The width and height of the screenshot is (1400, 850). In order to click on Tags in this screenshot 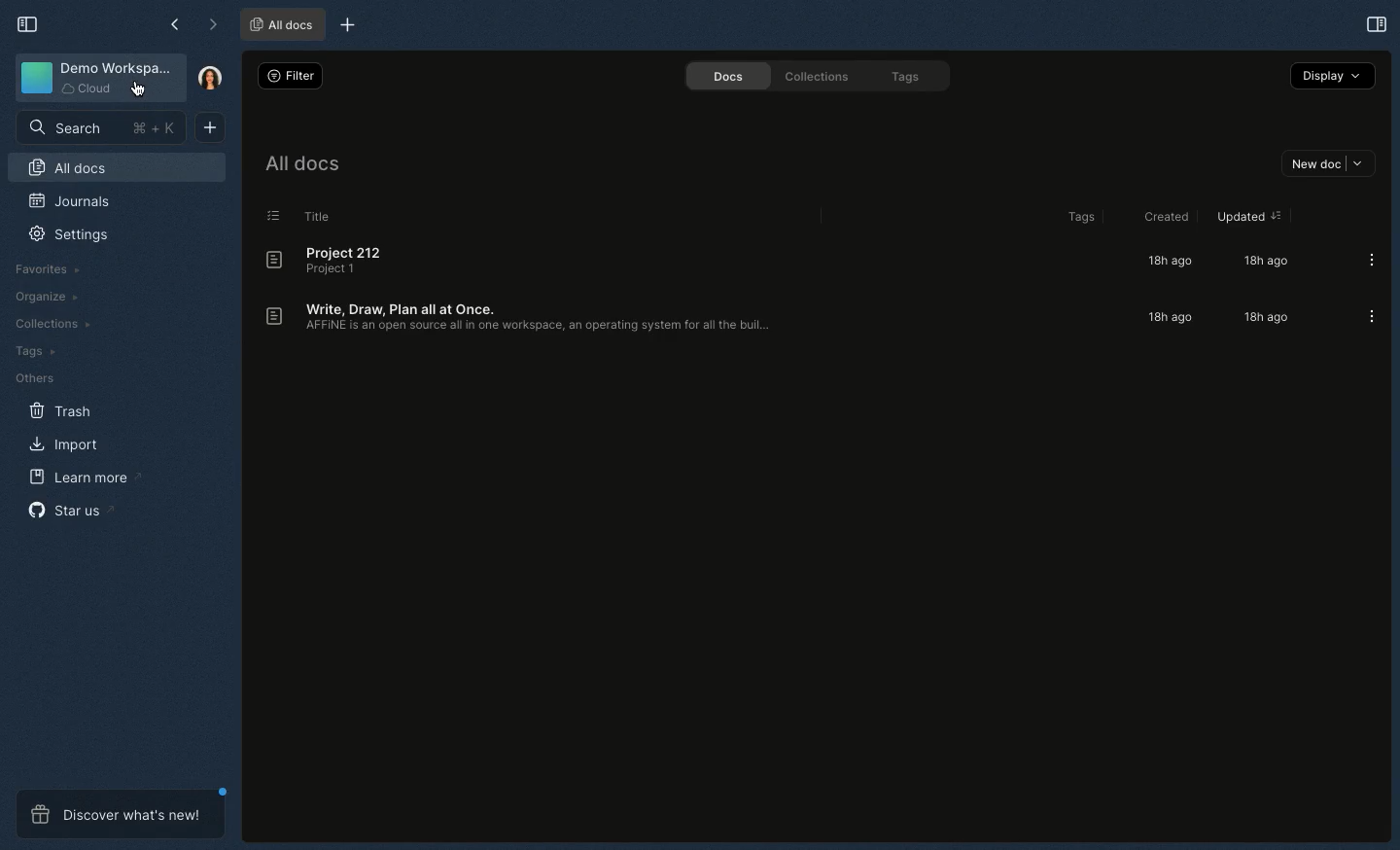, I will do `click(1074, 217)`.